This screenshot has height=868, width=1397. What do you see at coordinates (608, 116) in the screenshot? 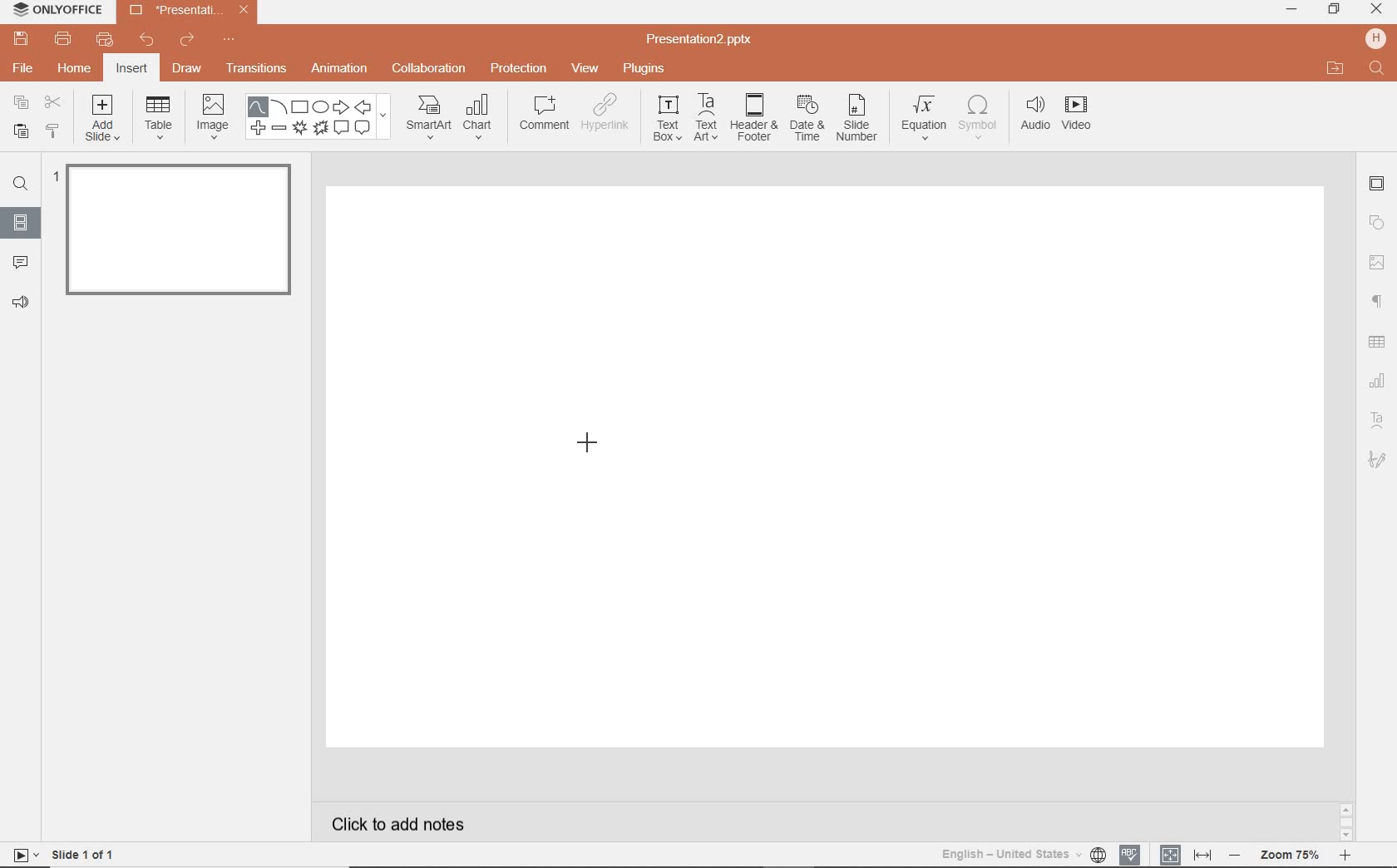
I see `HYPERLINK` at bounding box center [608, 116].